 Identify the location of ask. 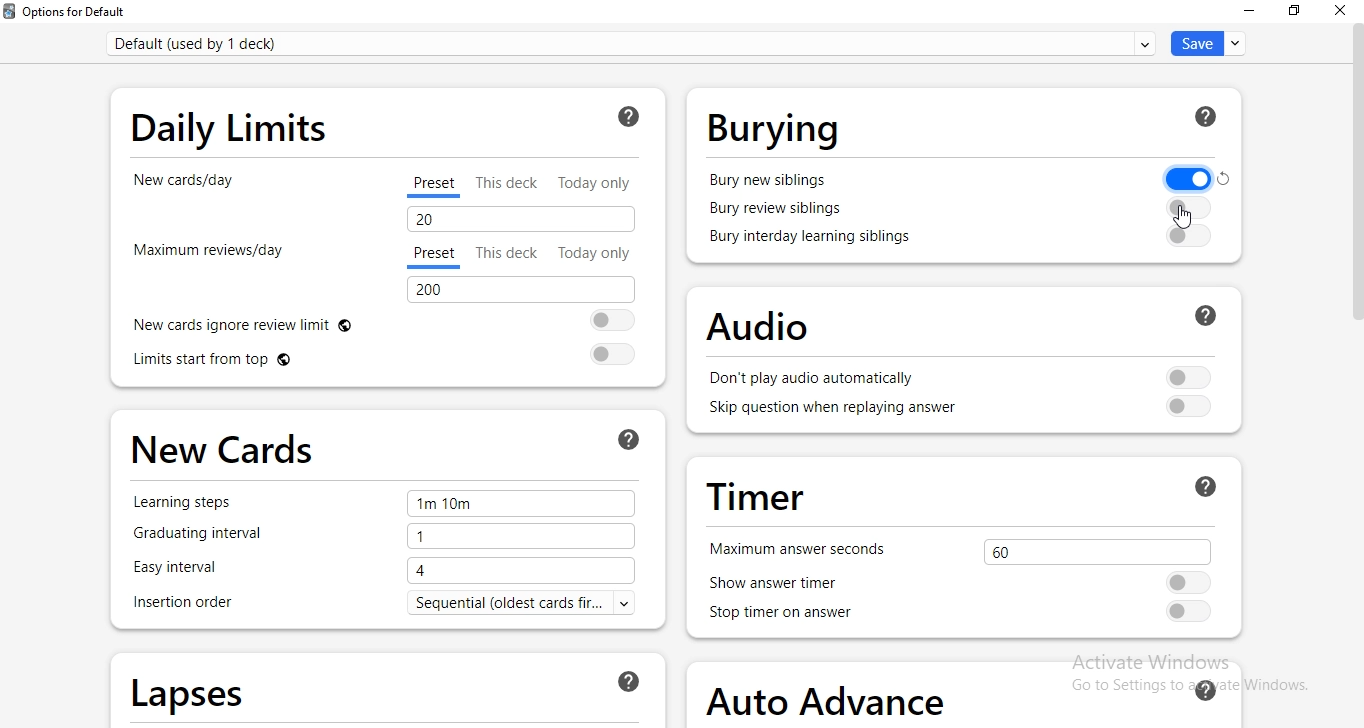
(631, 437).